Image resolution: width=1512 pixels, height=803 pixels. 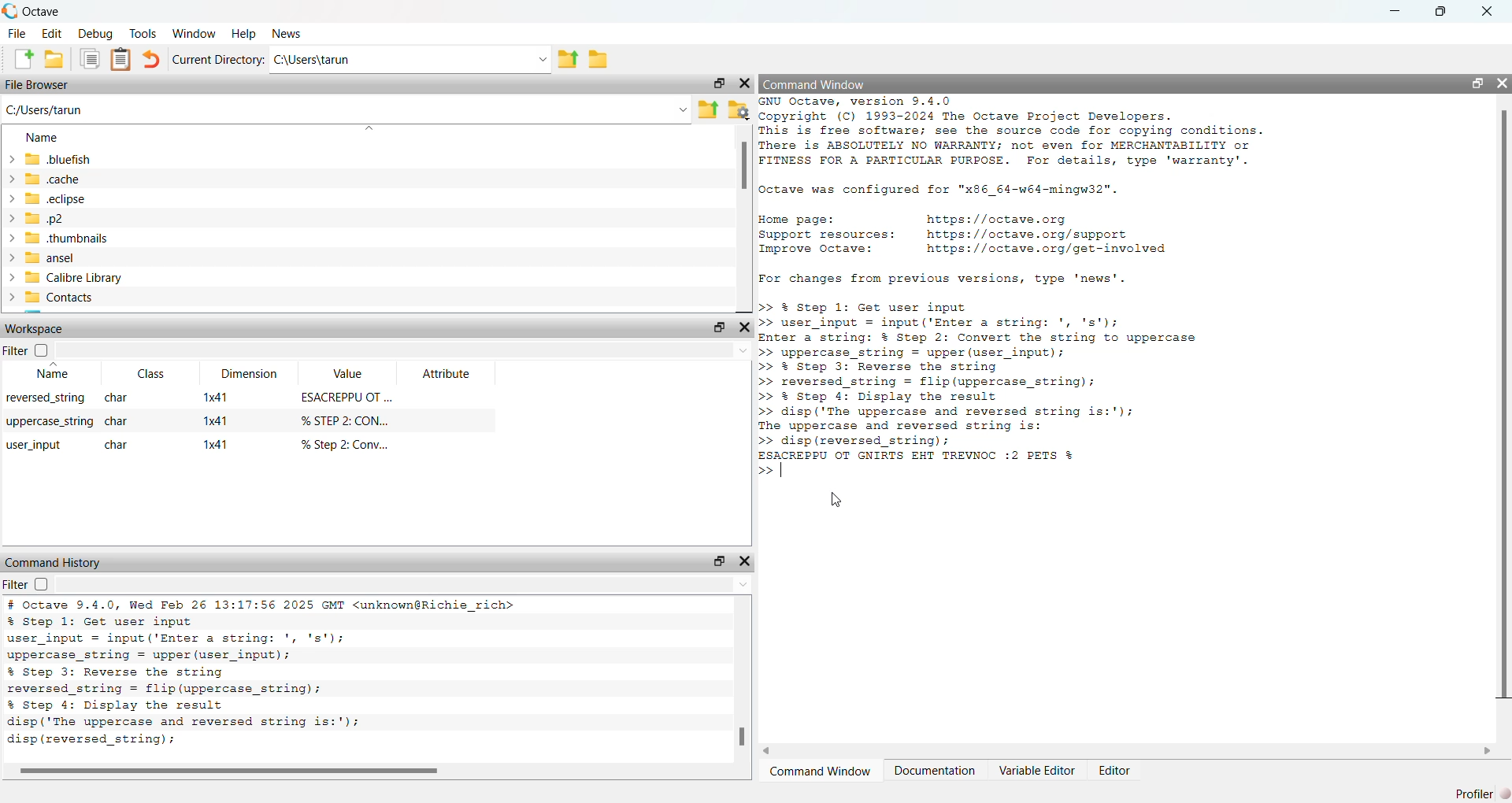 I want to click on name, so click(x=37, y=375).